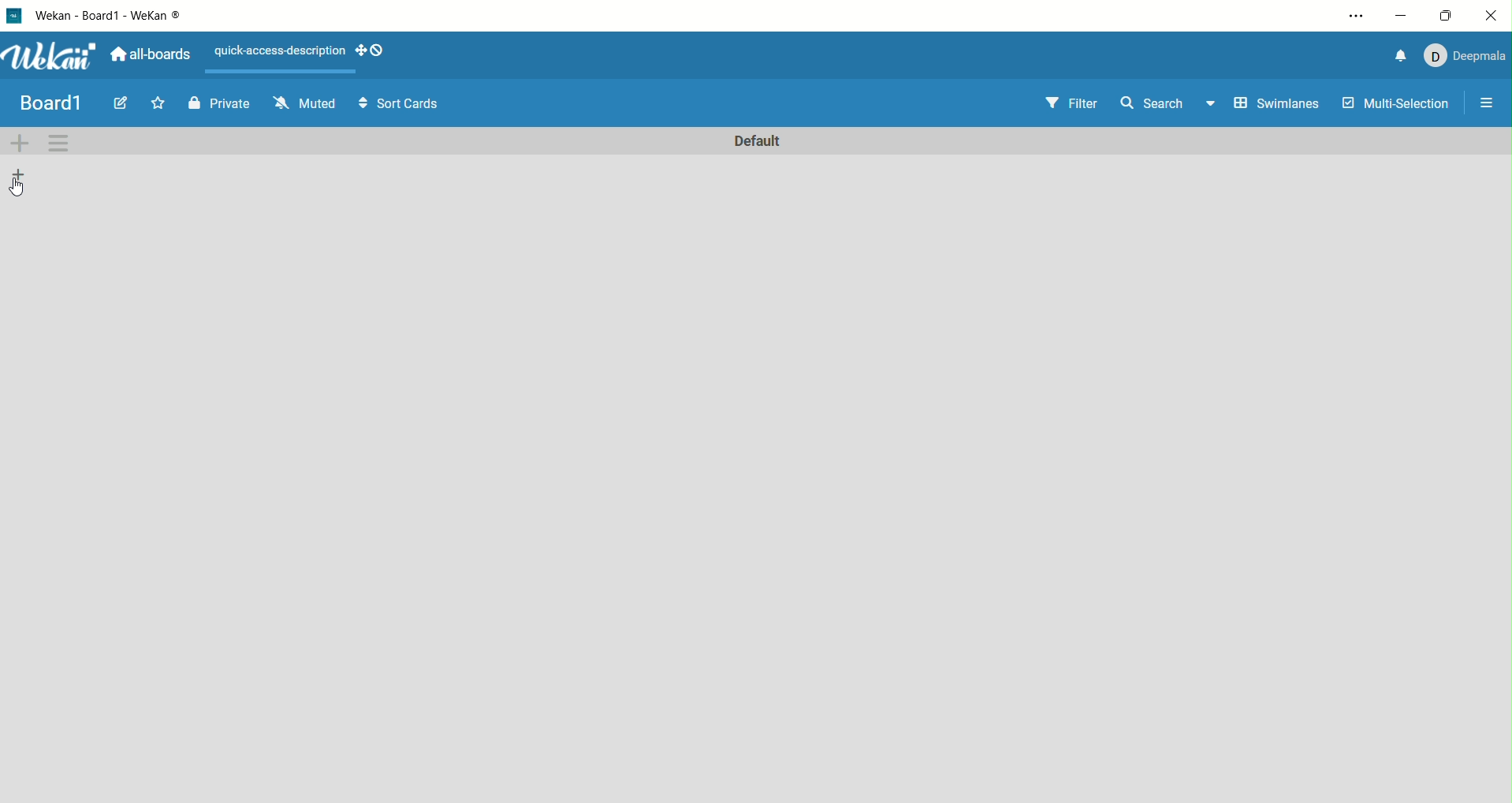 The height and width of the screenshot is (803, 1512). What do you see at coordinates (378, 50) in the screenshot?
I see `show-desktop-drag- handles` at bounding box center [378, 50].